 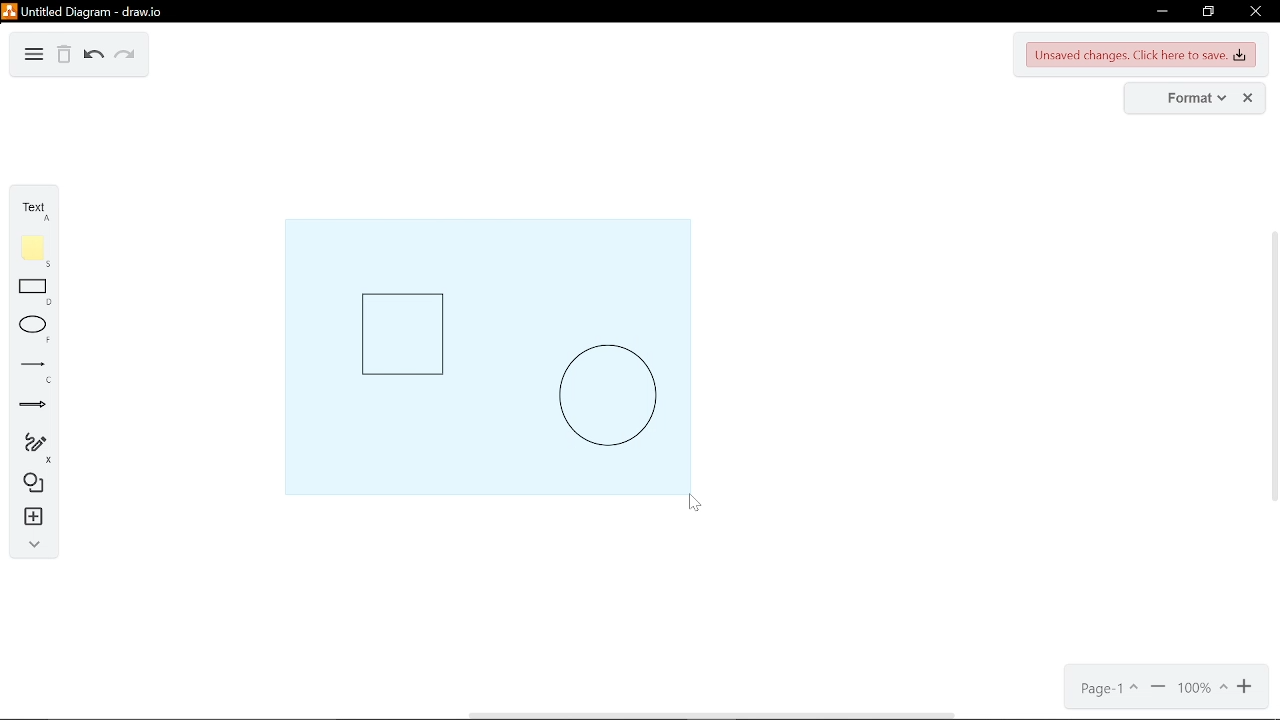 I want to click on arrow, so click(x=30, y=405).